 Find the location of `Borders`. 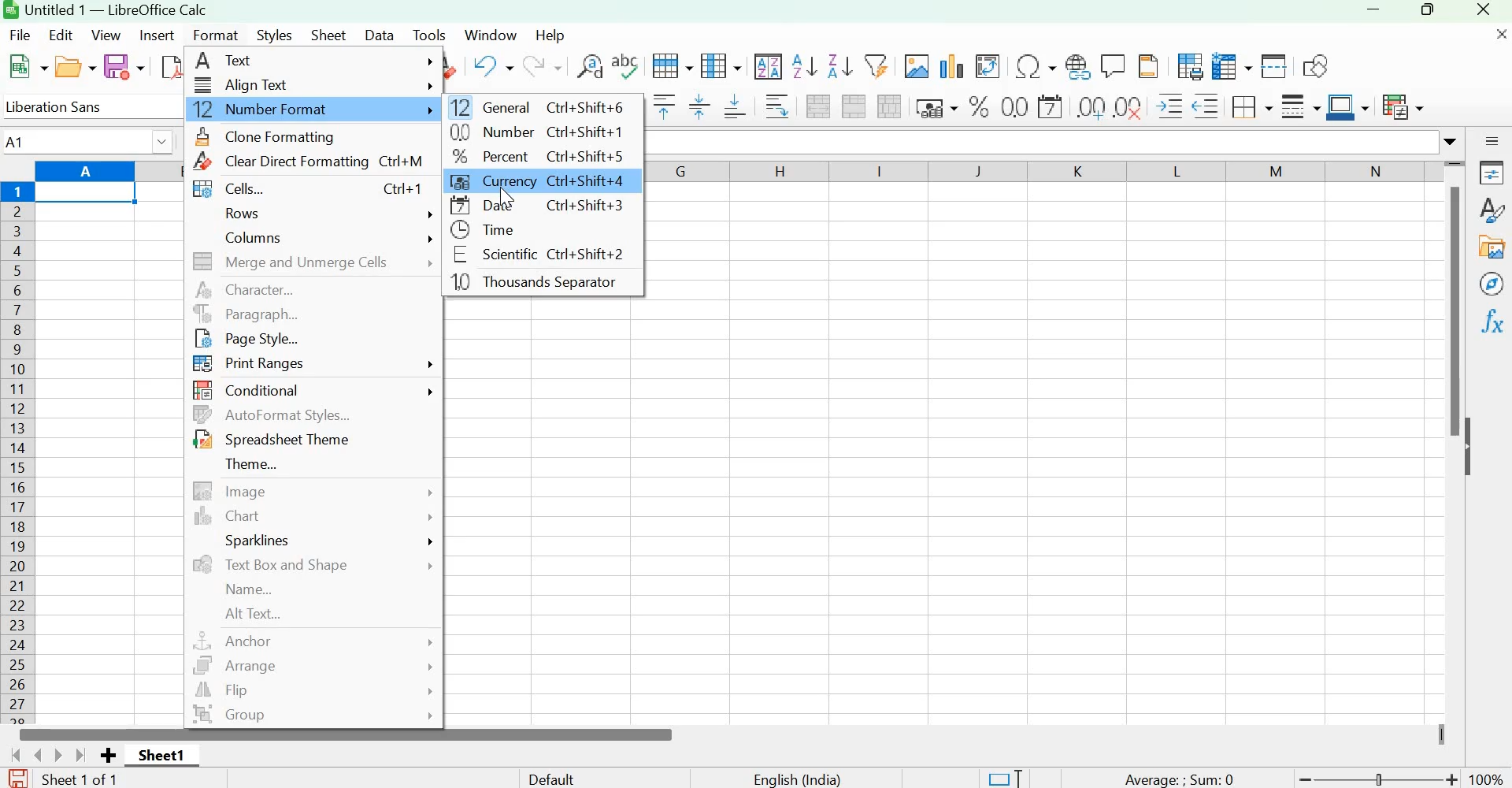

Borders is located at coordinates (1250, 106).